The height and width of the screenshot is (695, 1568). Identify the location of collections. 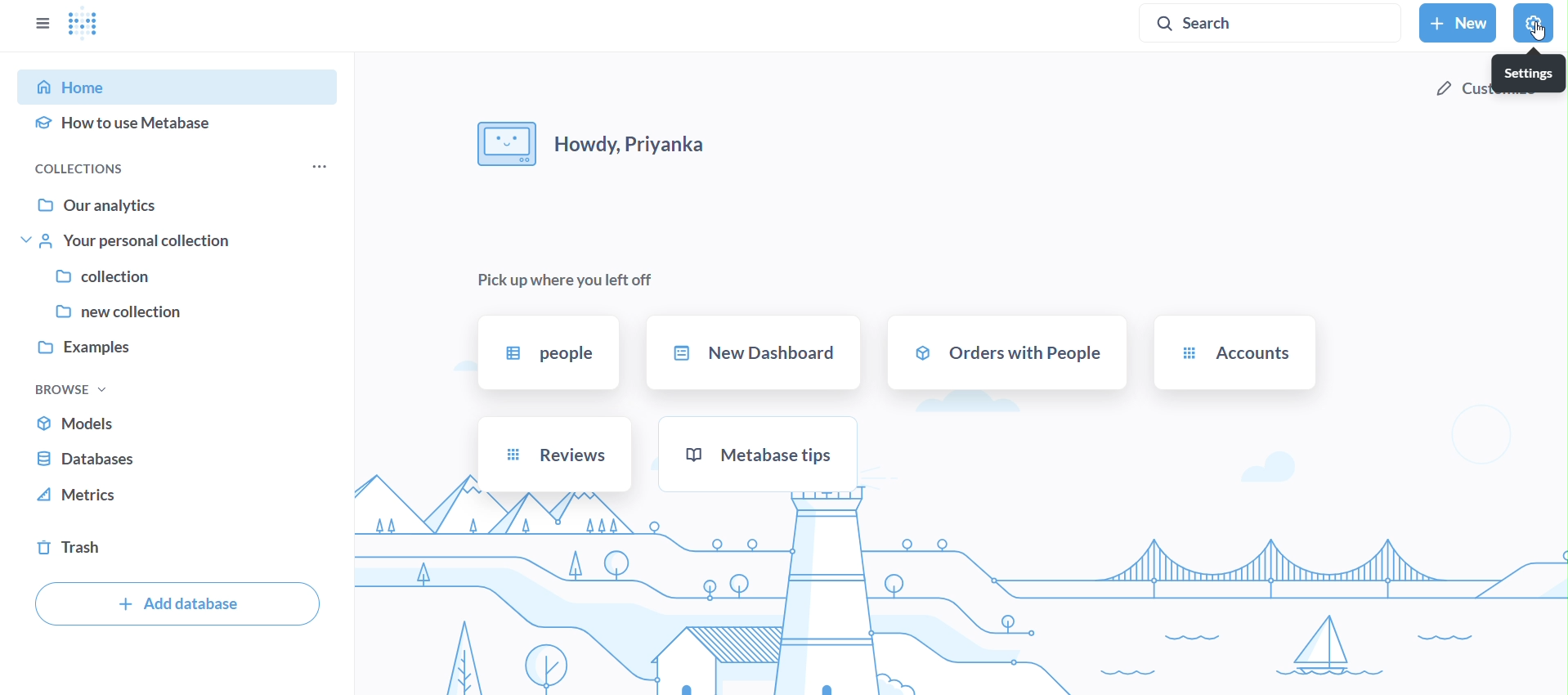
(97, 168).